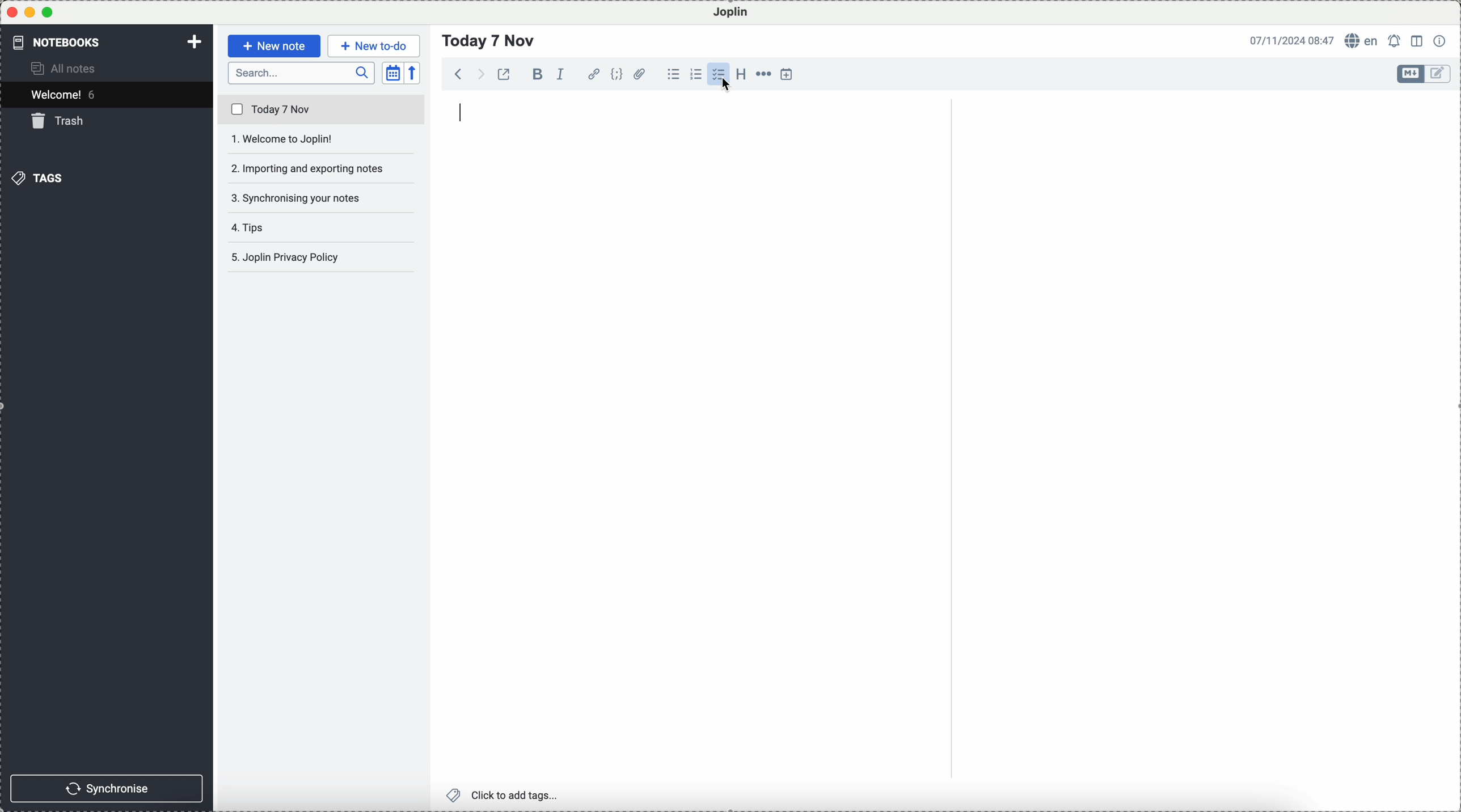  I want to click on note properties, so click(1441, 41).